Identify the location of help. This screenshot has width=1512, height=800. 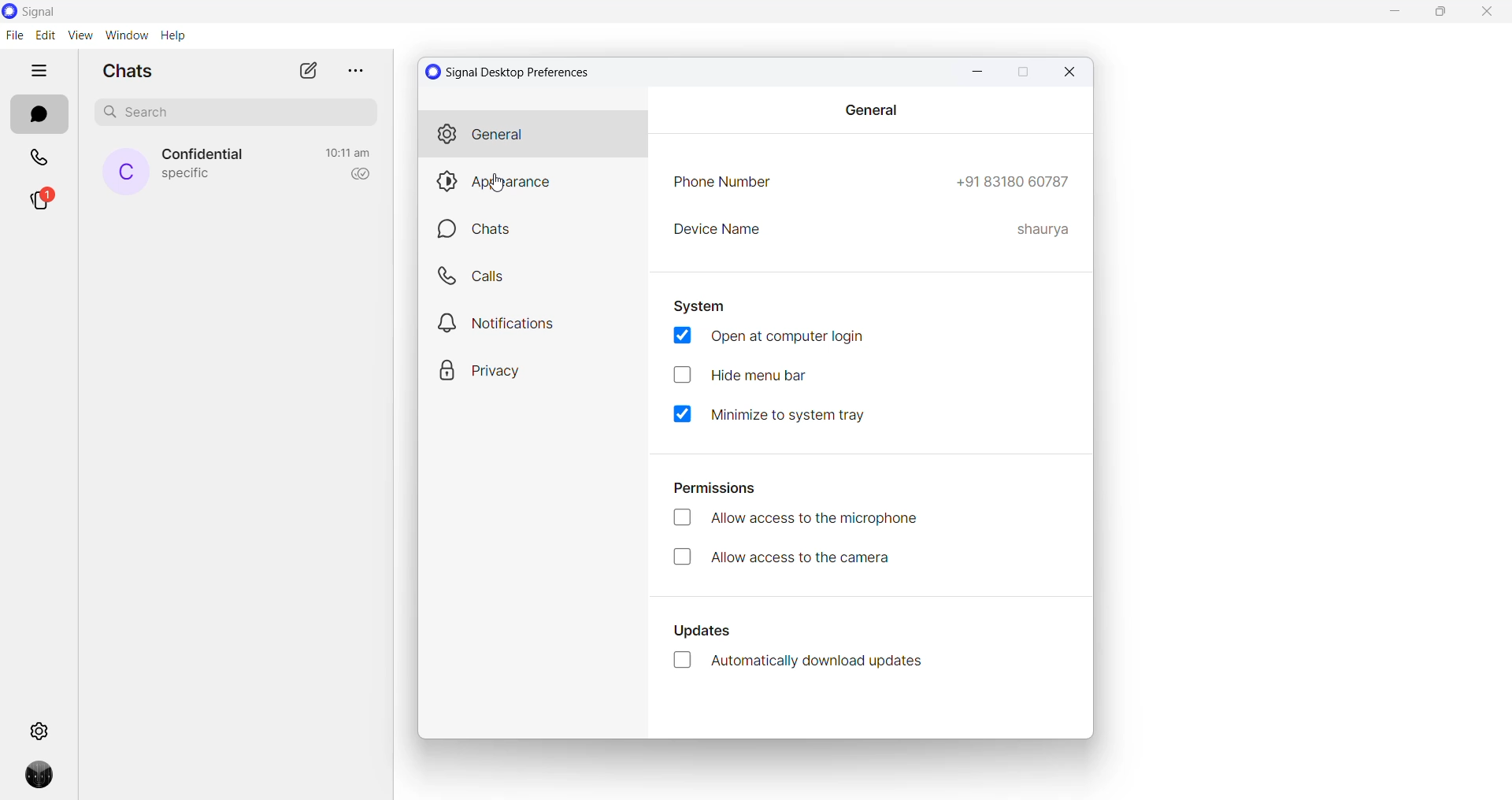
(172, 36).